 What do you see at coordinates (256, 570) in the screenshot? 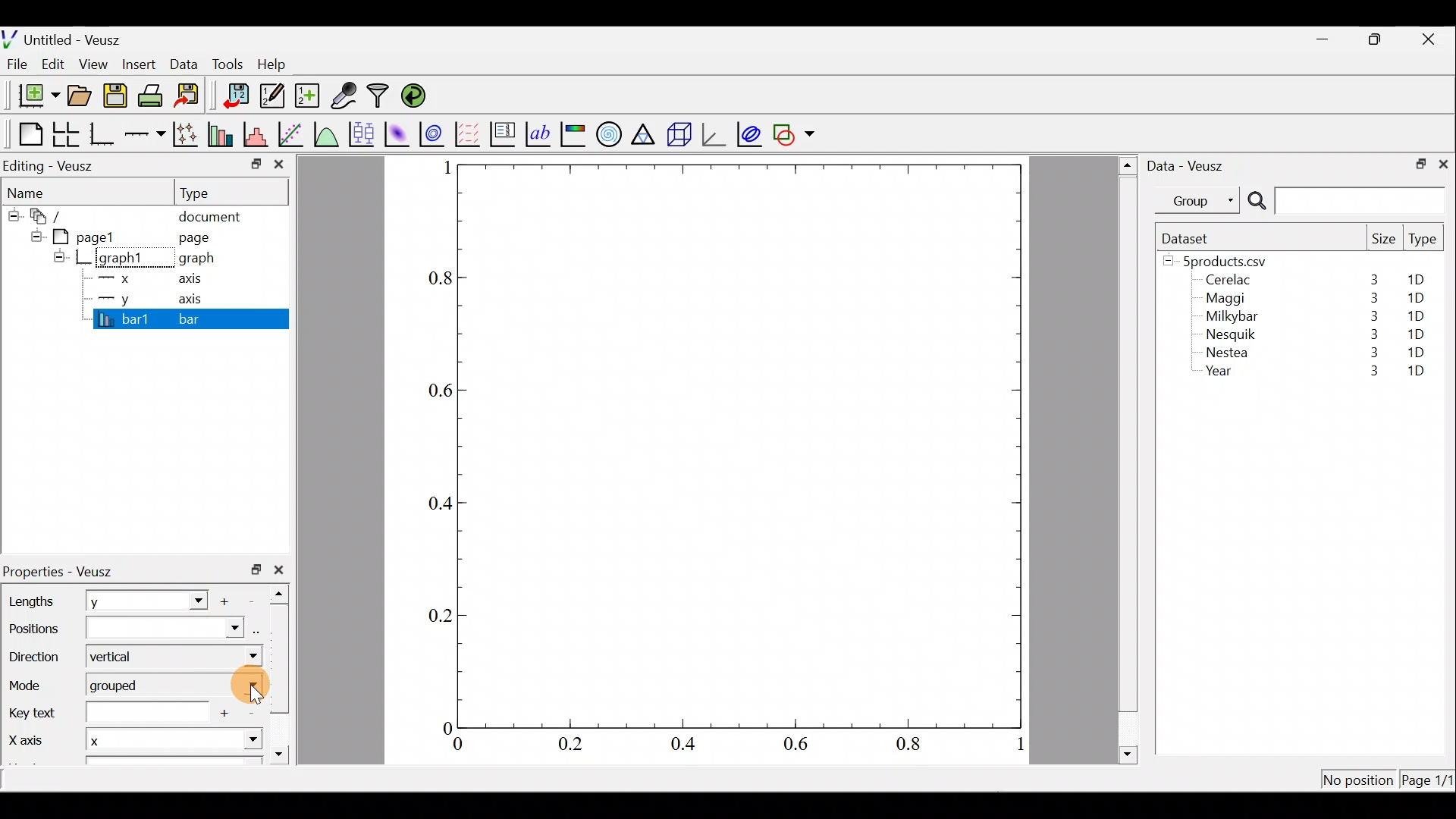
I see `restore down` at bounding box center [256, 570].